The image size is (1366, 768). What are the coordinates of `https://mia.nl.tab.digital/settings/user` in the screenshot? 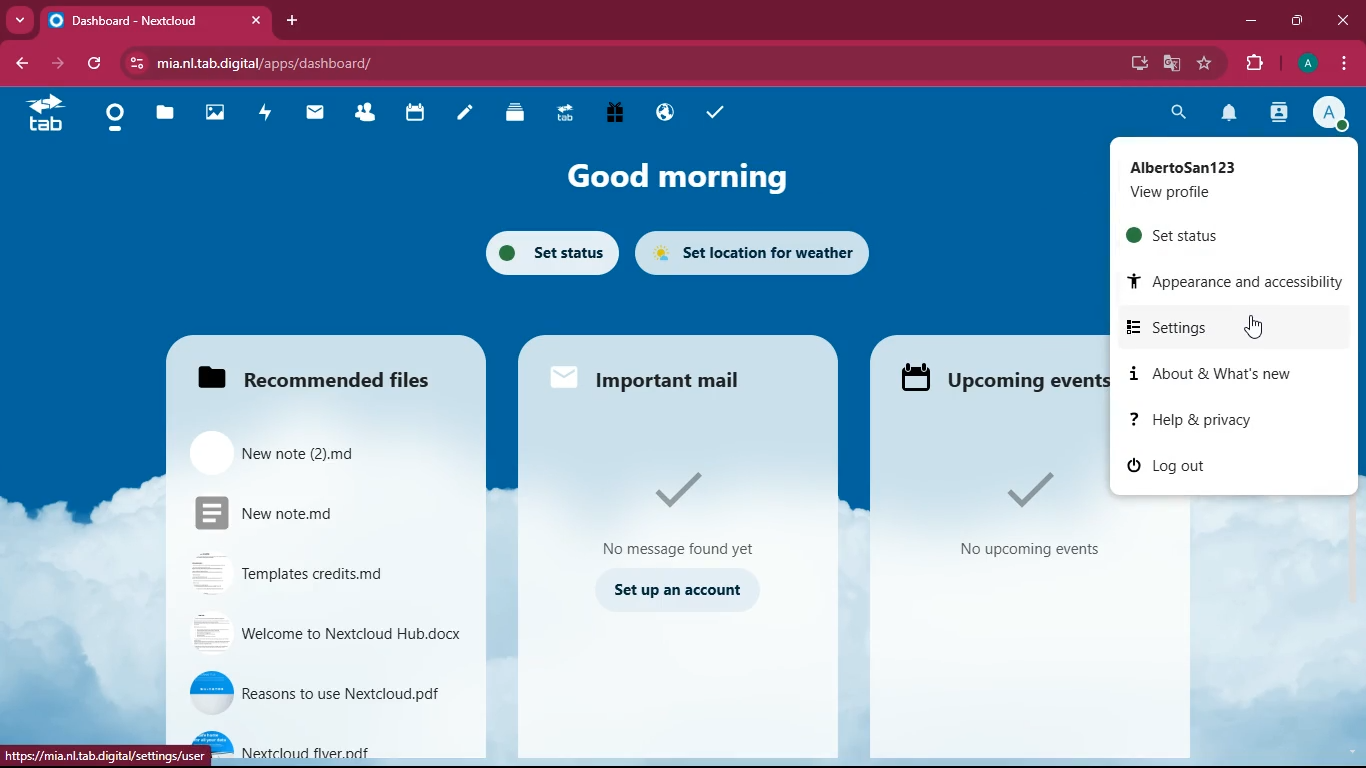 It's located at (104, 754).